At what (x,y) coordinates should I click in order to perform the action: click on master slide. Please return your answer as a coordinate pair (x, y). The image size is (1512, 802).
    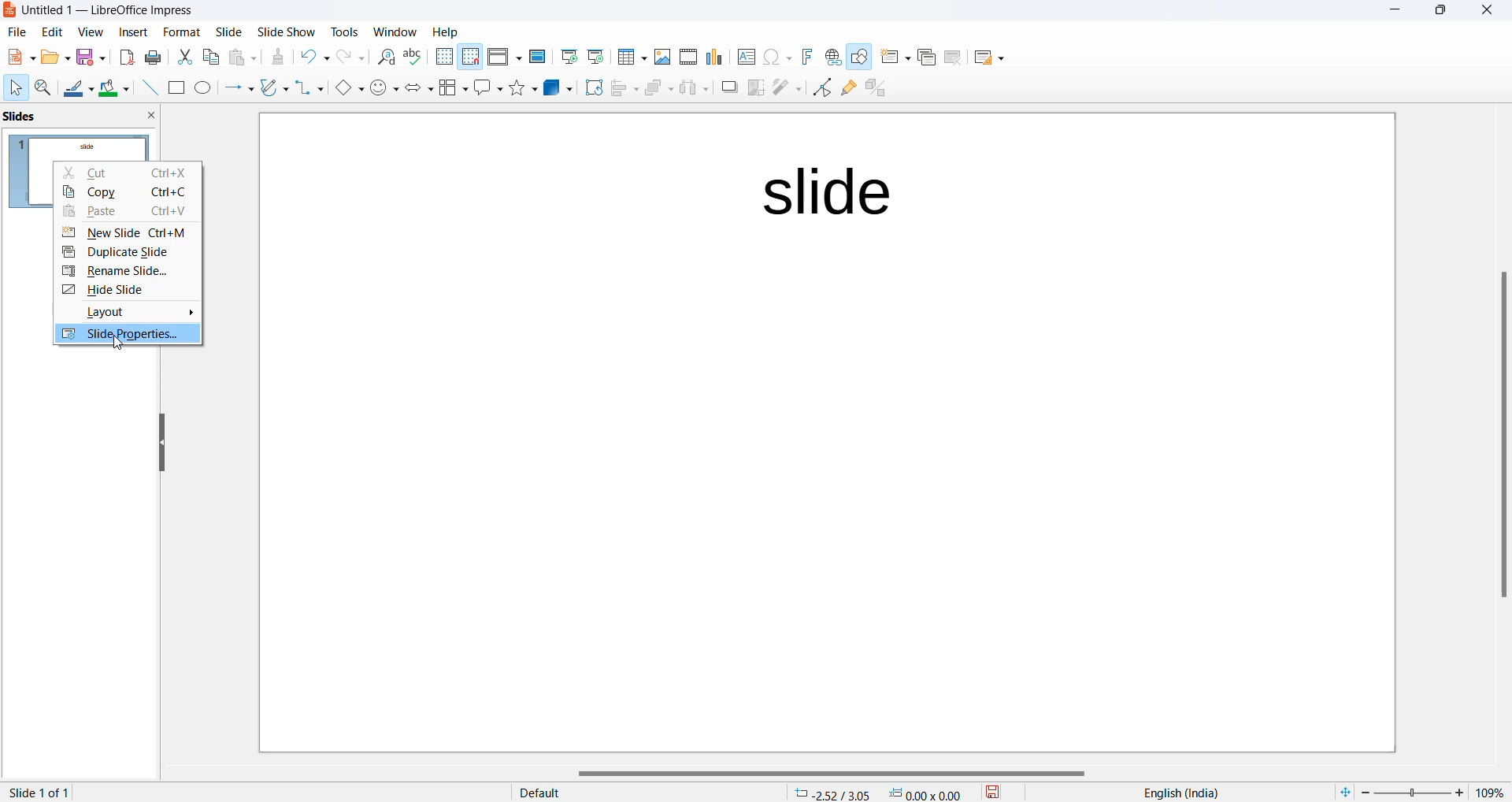
    Looking at the image, I should click on (537, 56).